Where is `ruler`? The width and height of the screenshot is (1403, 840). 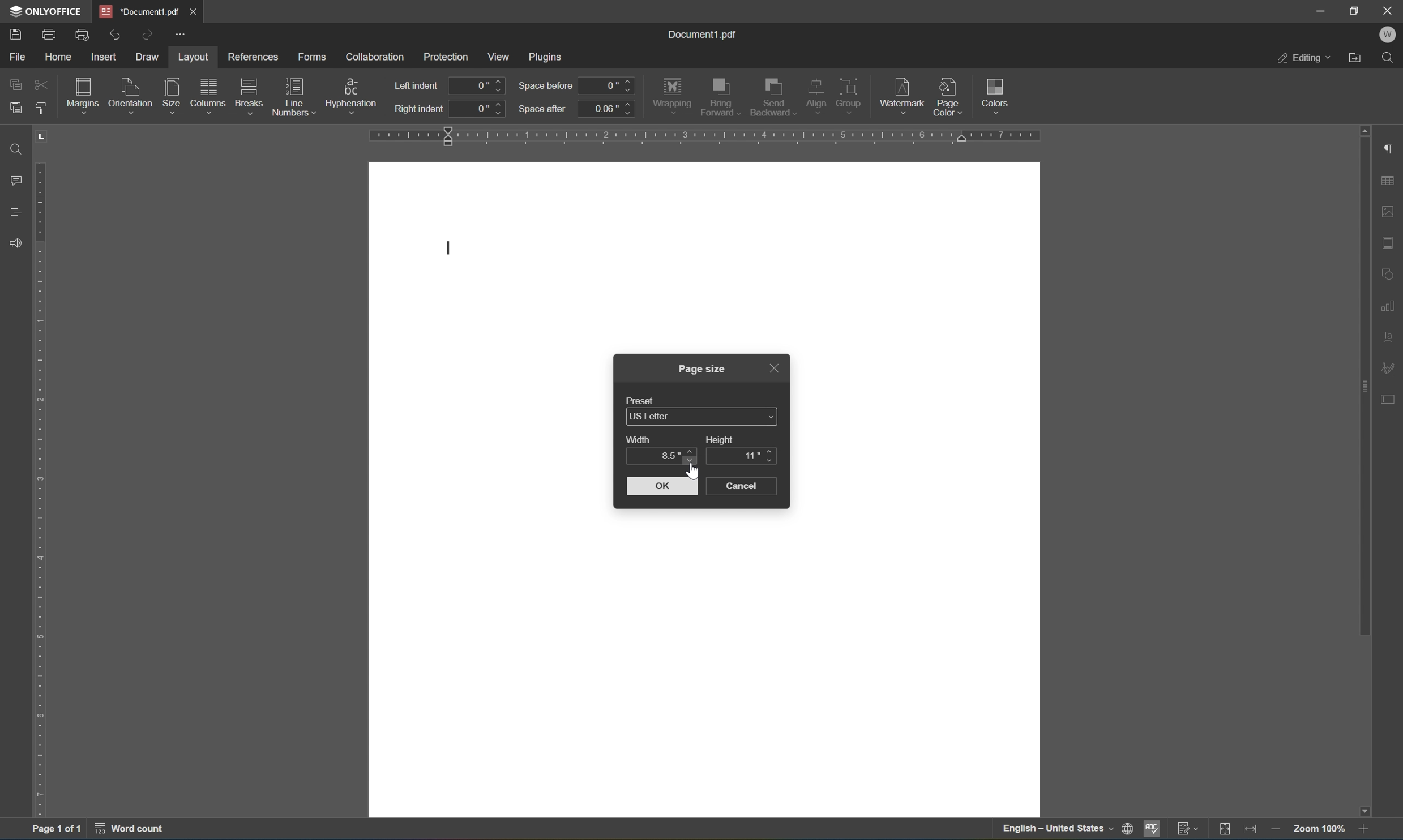 ruler is located at coordinates (707, 136).